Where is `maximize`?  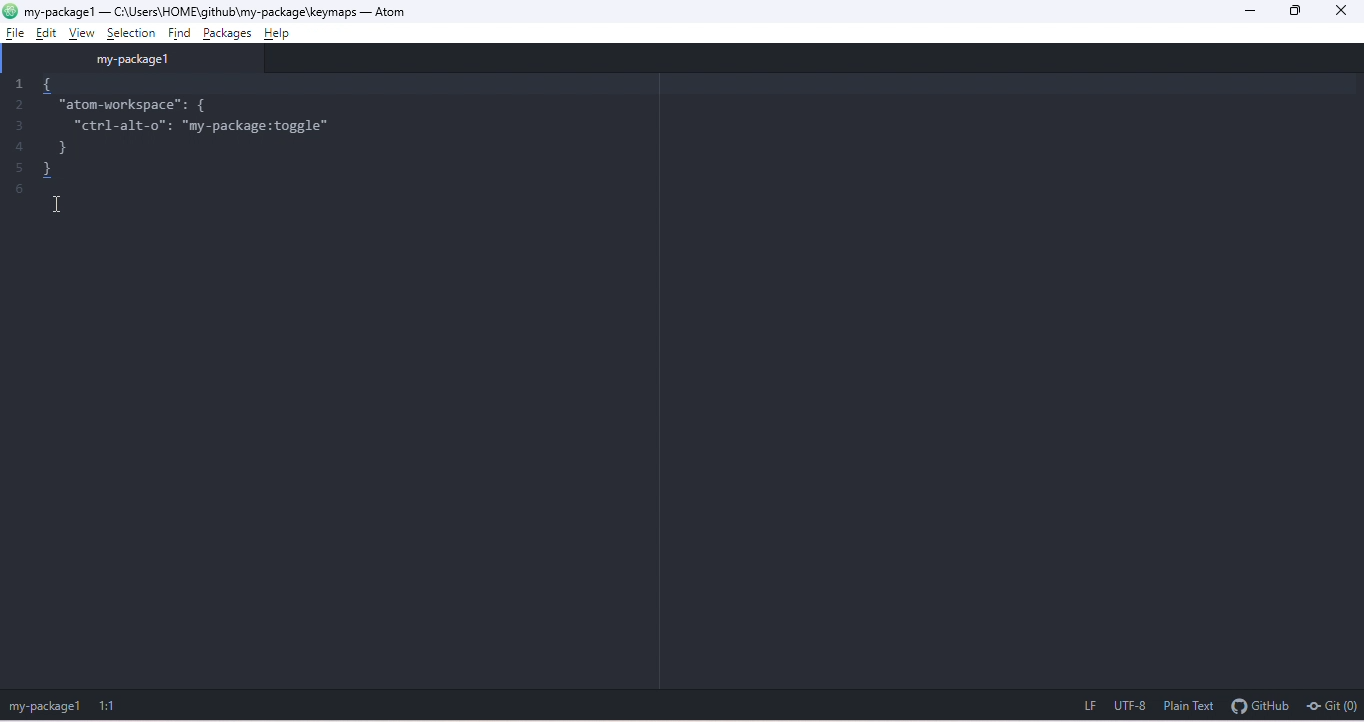
maximize is located at coordinates (1299, 14).